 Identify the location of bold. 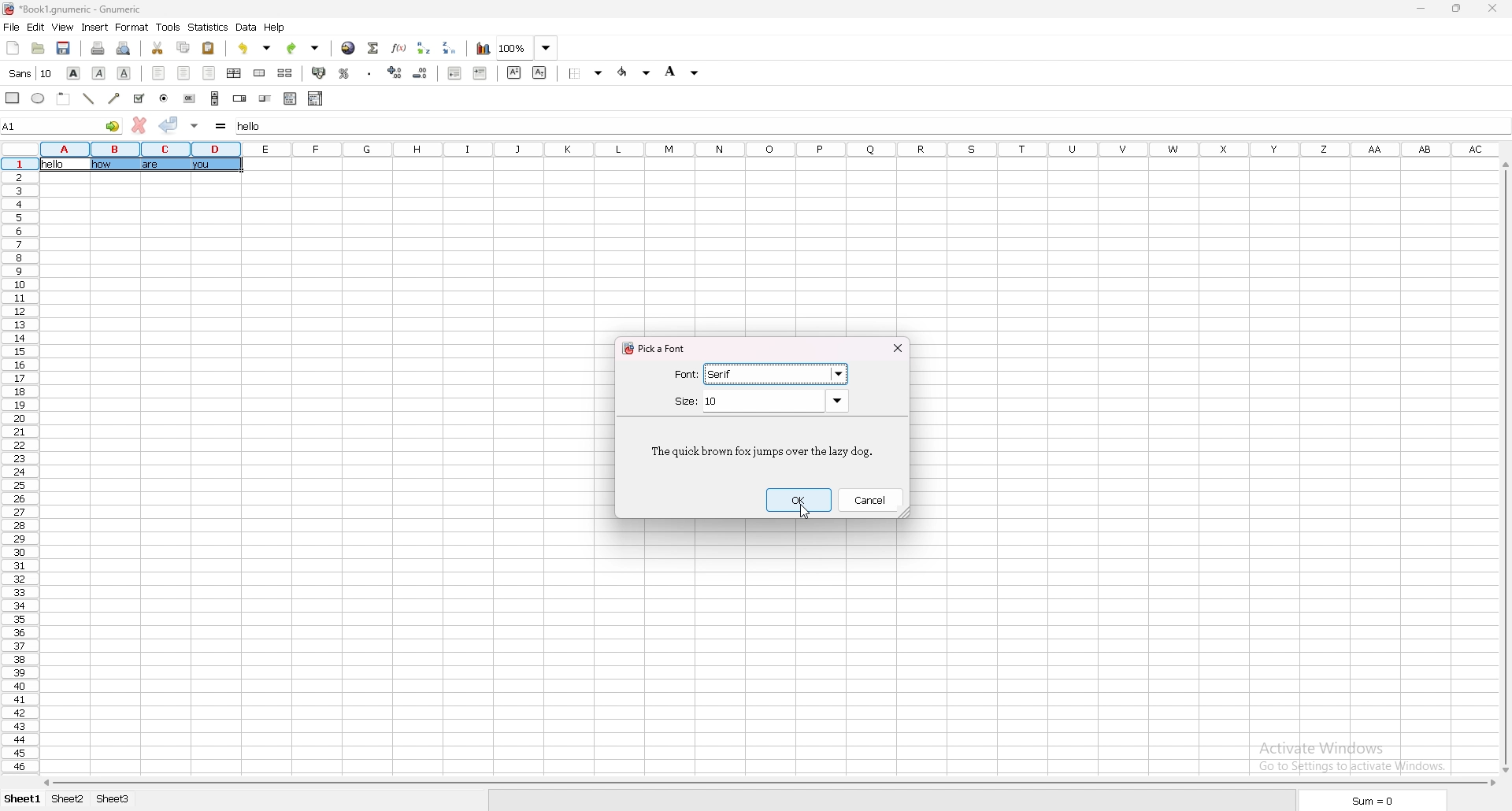
(73, 72).